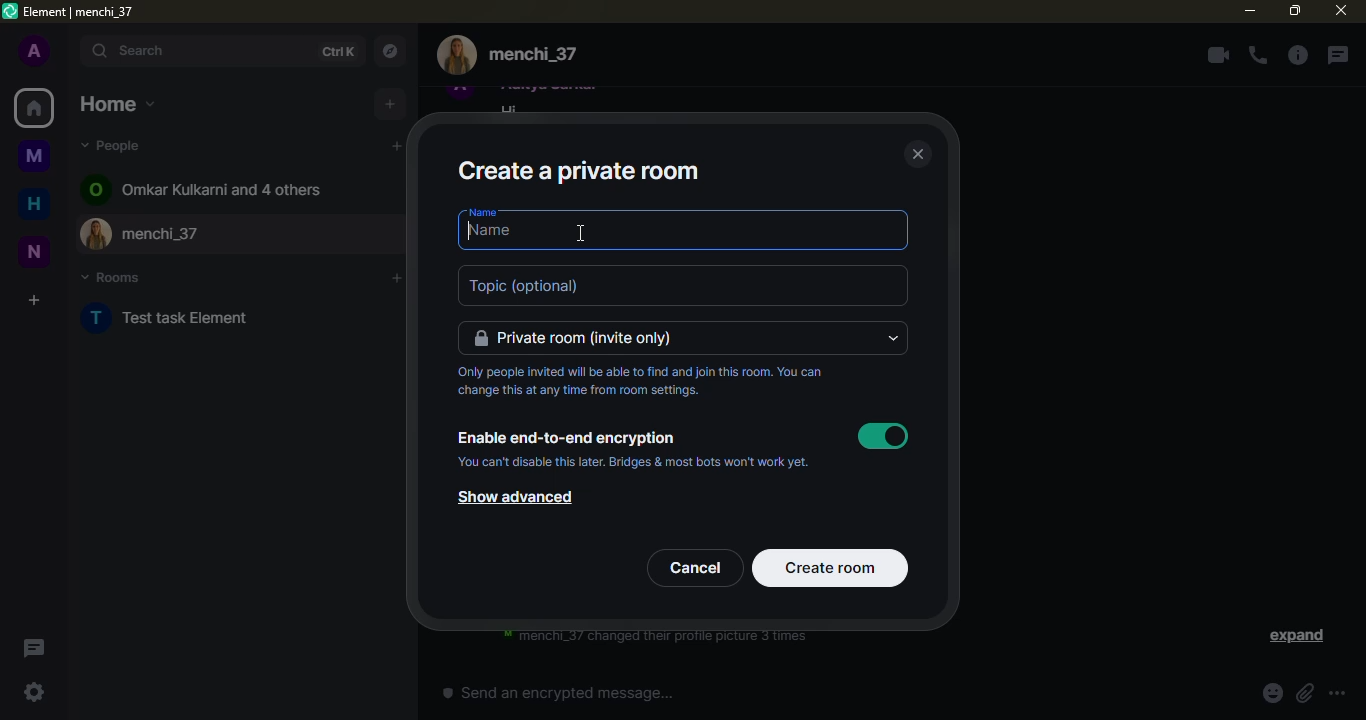 Image resolution: width=1366 pixels, height=720 pixels. I want to click on Input space for topic (optional), so click(683, 285).